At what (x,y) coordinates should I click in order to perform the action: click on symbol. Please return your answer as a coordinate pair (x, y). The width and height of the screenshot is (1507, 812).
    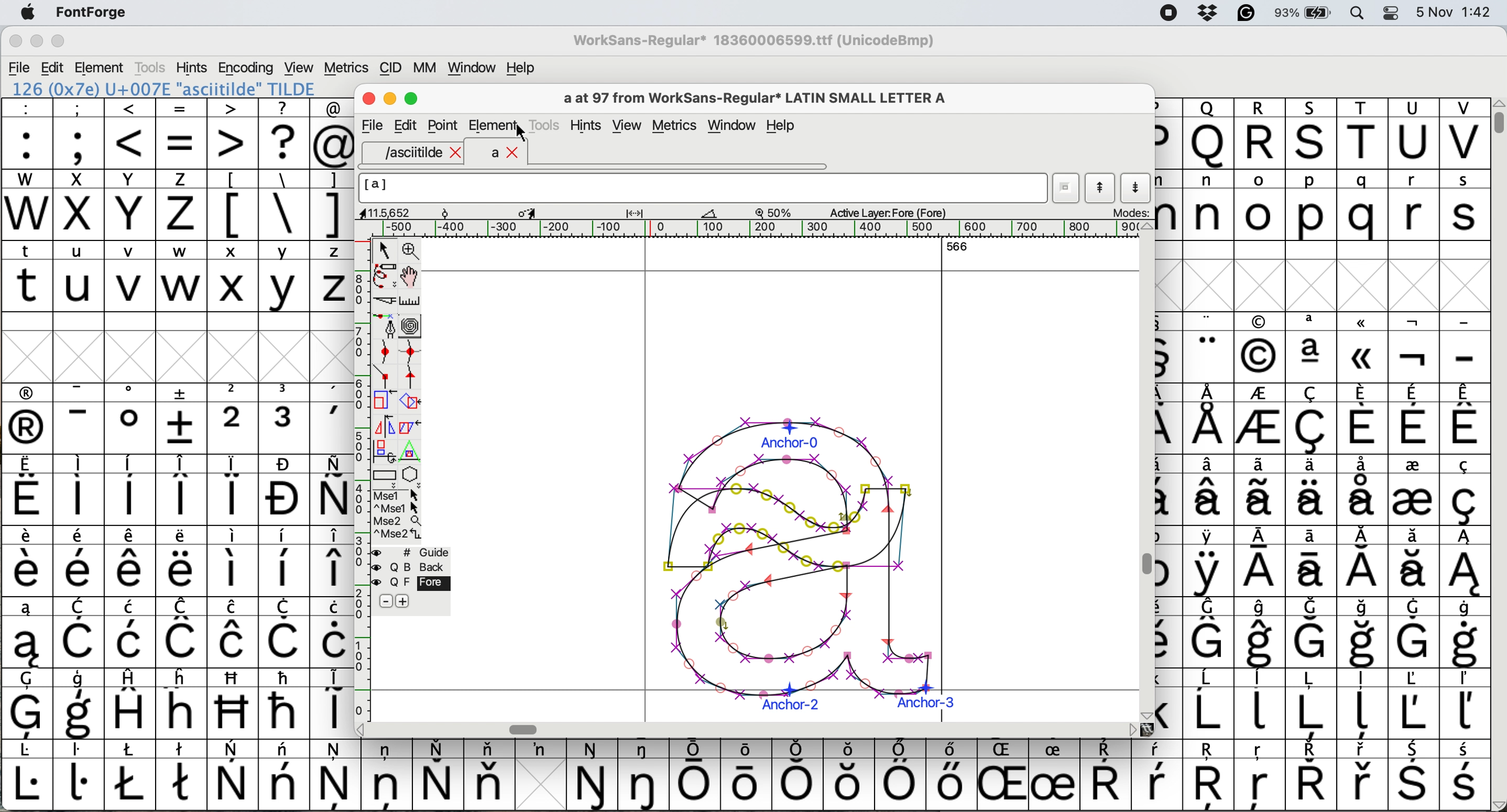
    Looking at the image, I should click on (1262, 633).